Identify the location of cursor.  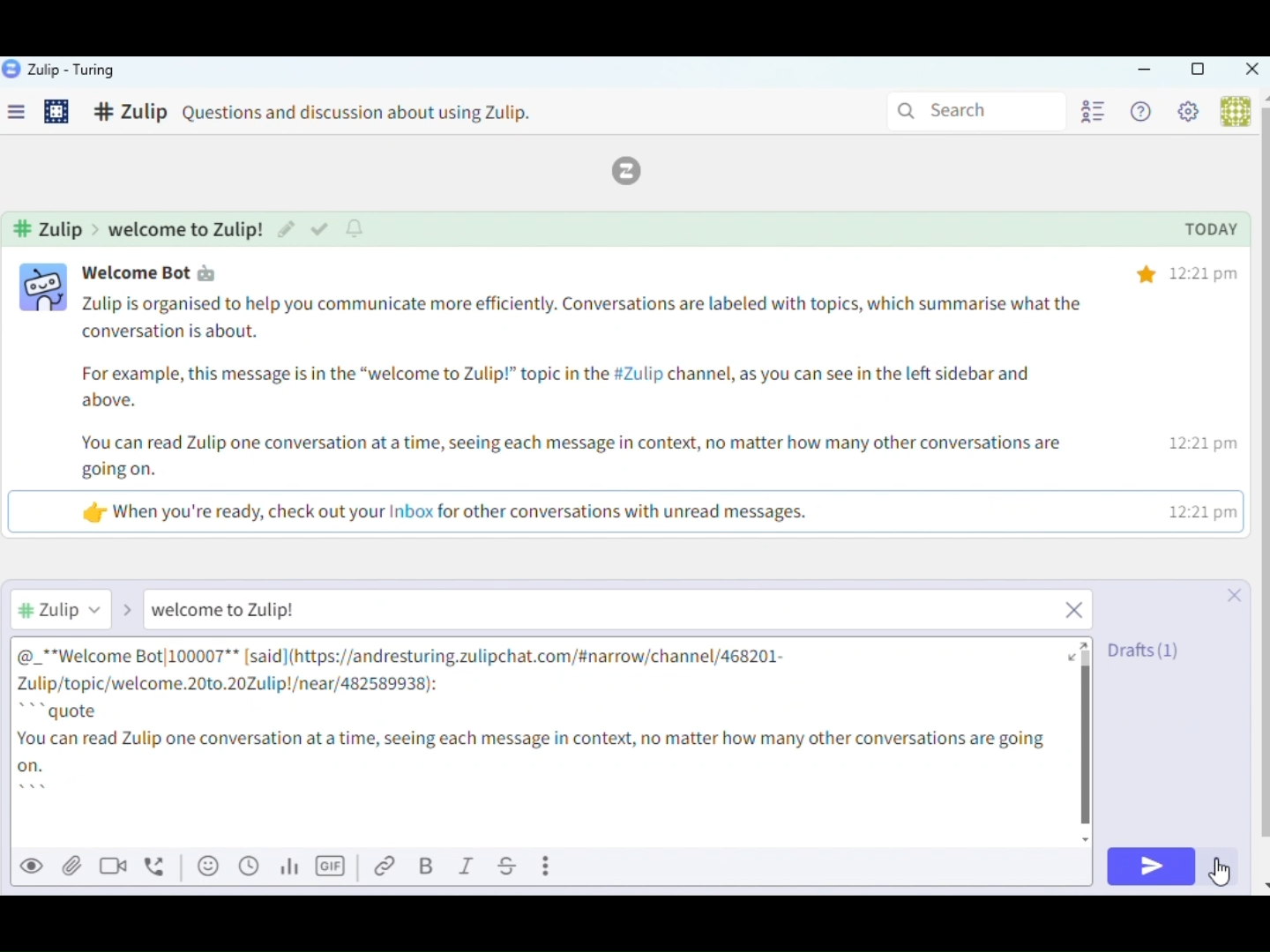
(1224, 877).